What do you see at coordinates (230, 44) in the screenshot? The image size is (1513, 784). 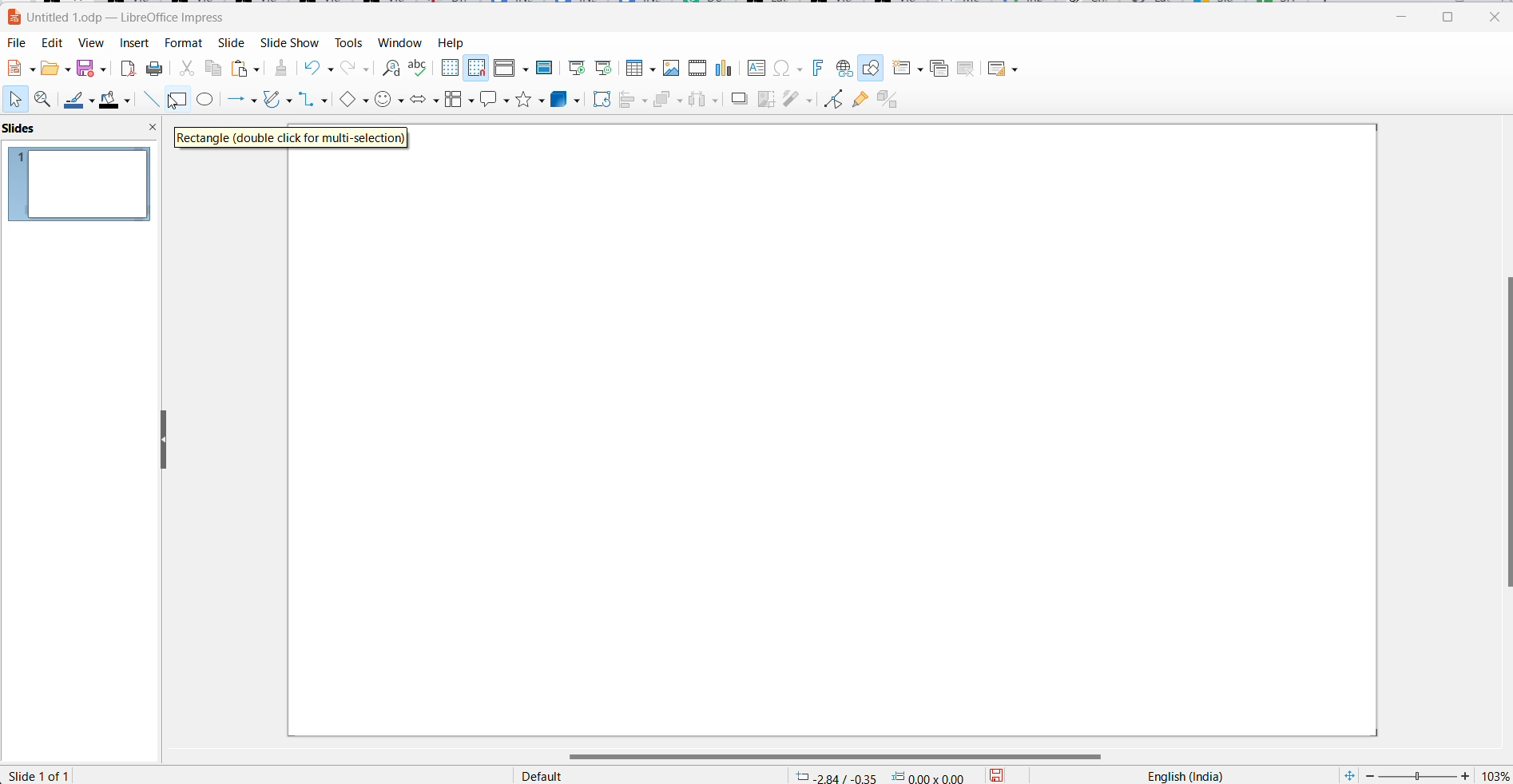 I see `Slide` at bounding box center [230, 44].